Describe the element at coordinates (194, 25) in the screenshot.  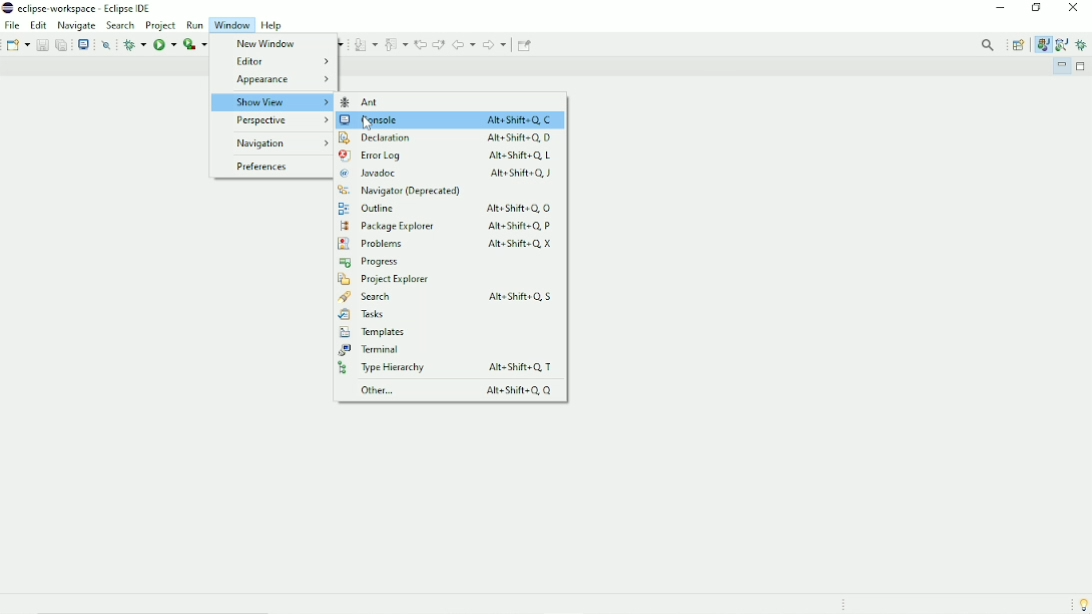
I see `Run` at that location.